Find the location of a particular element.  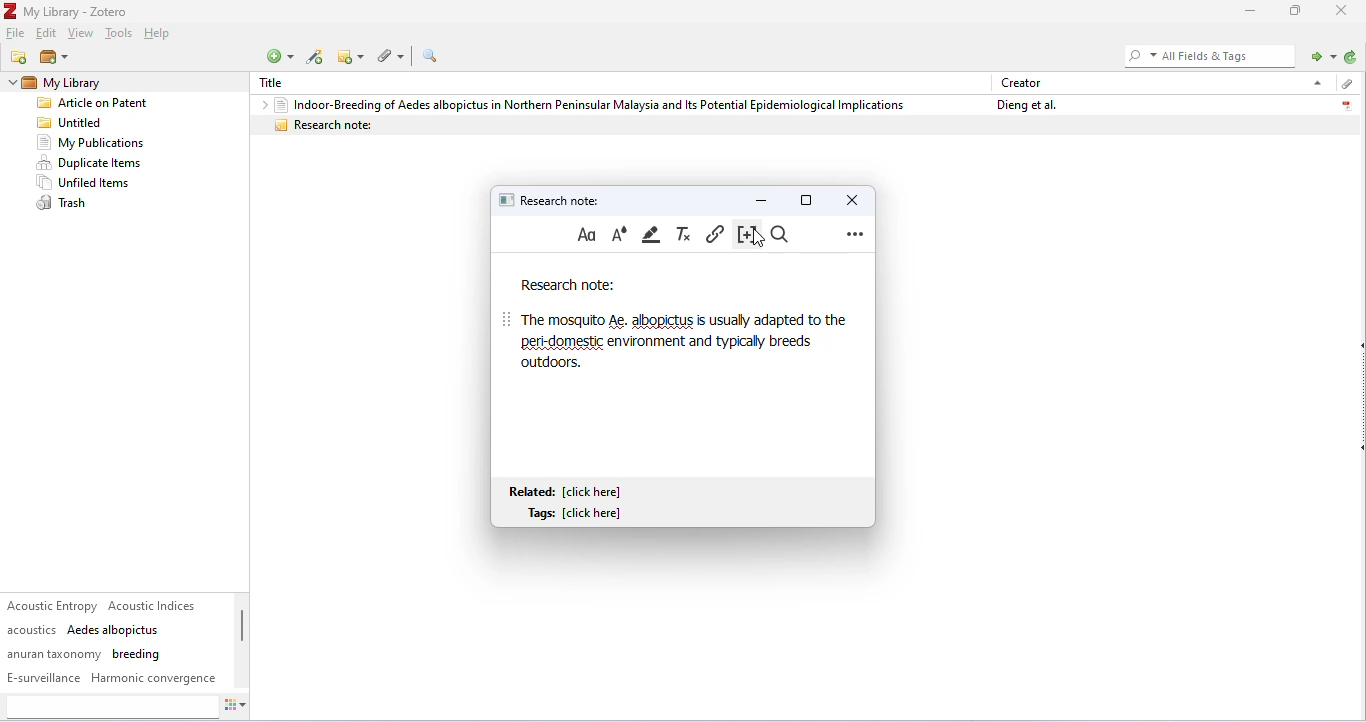

drop down is located at coordinates (260, 104).